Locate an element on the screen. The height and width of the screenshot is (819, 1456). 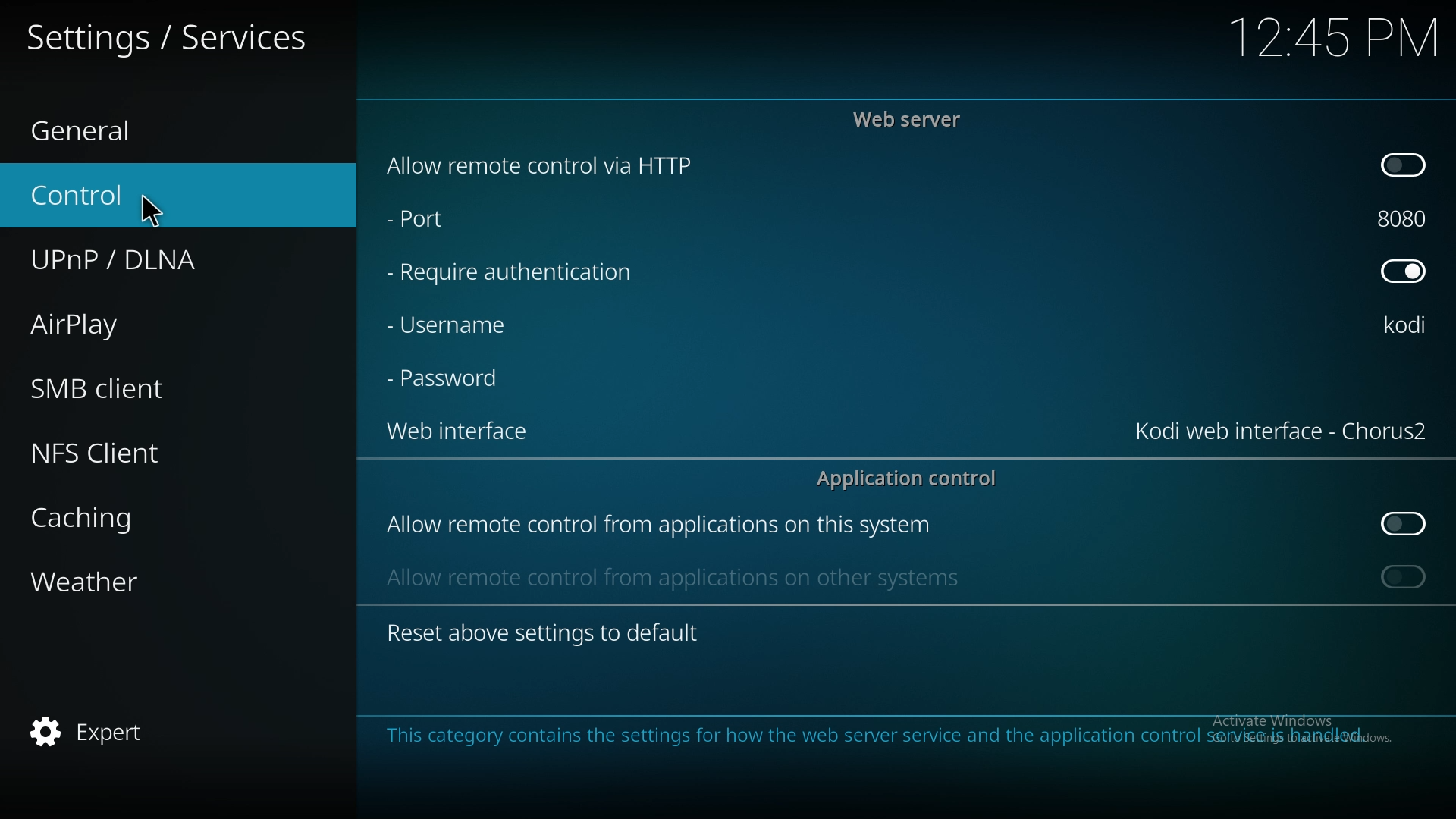
web interface is located at coordinates (457, 429).